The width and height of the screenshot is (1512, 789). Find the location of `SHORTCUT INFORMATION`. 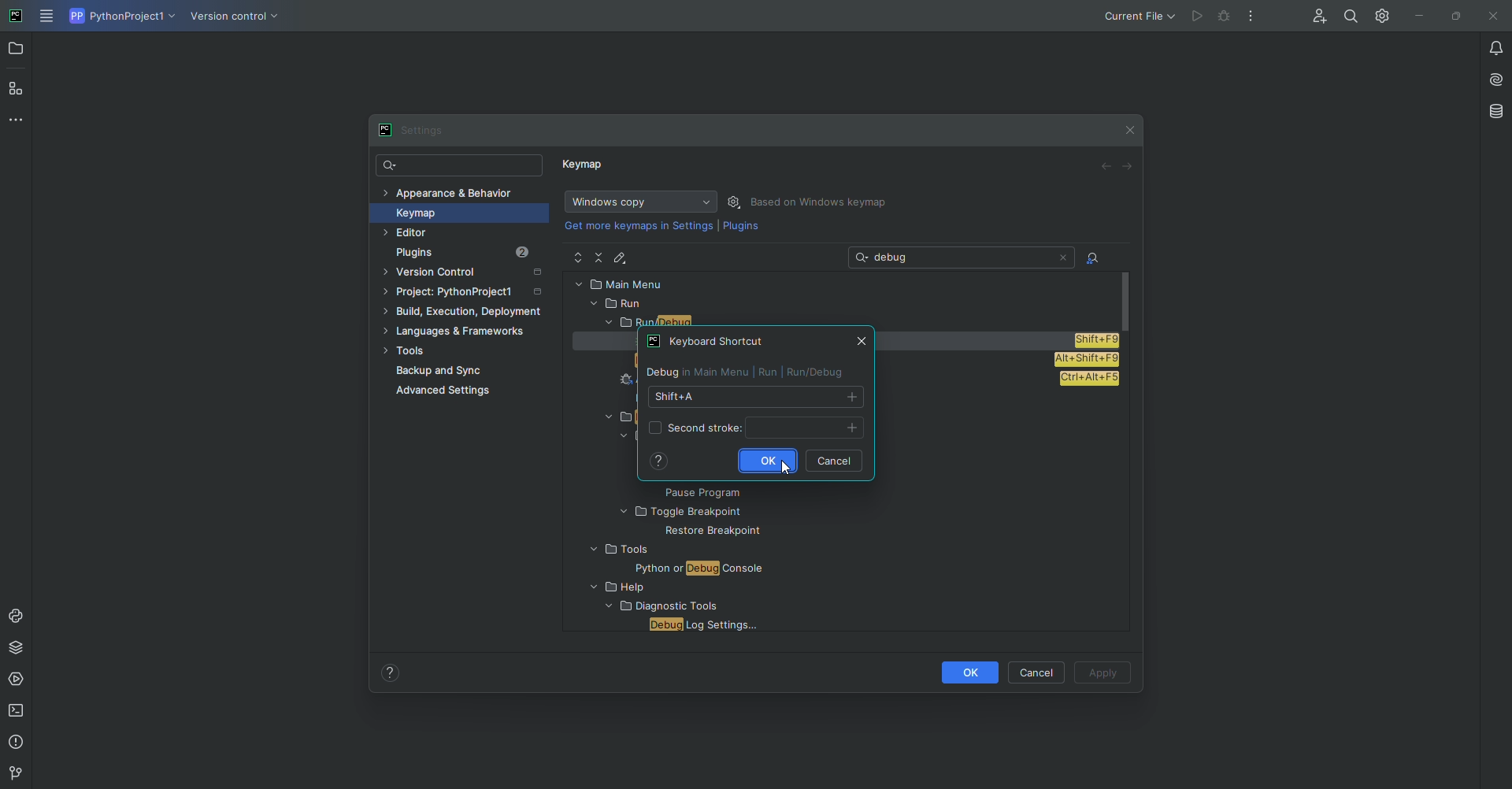

SHORTCUT INFORMATION is located at coordinates (752, 371).